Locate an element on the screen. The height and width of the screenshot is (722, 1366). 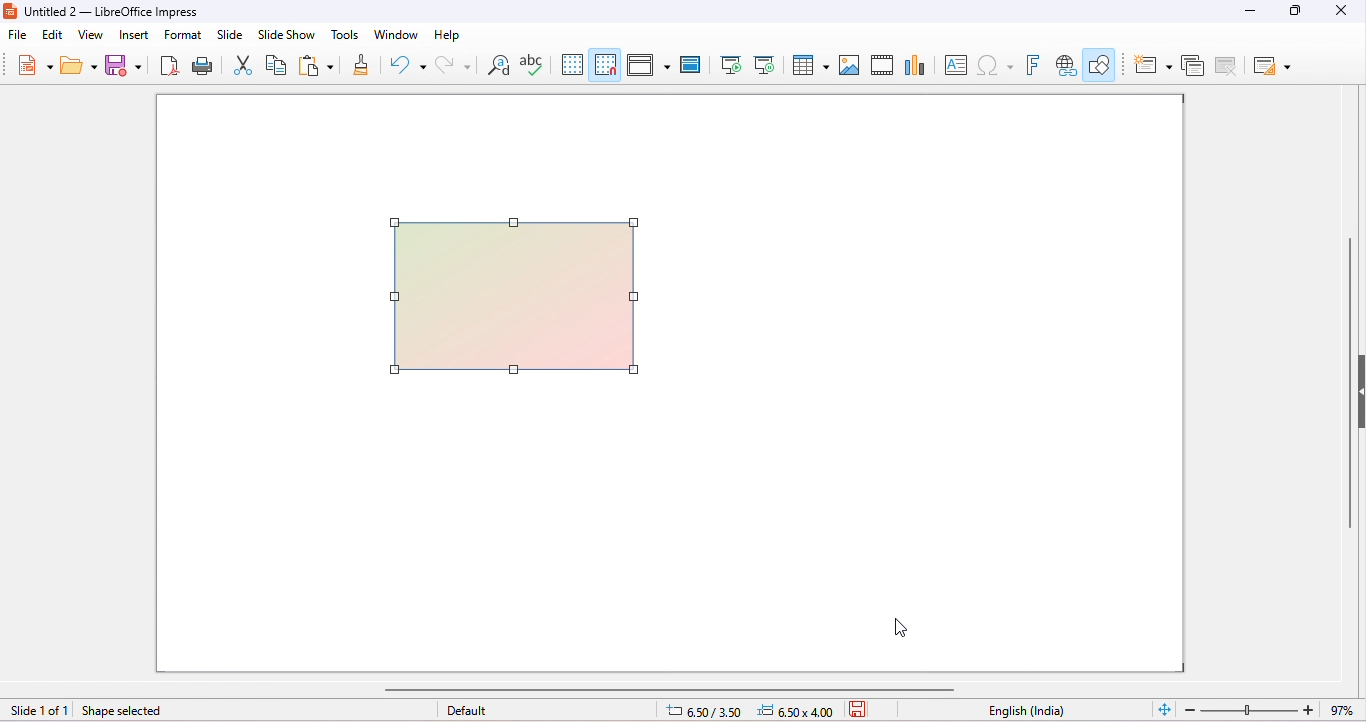
paste is located at coordinates (315, 63).